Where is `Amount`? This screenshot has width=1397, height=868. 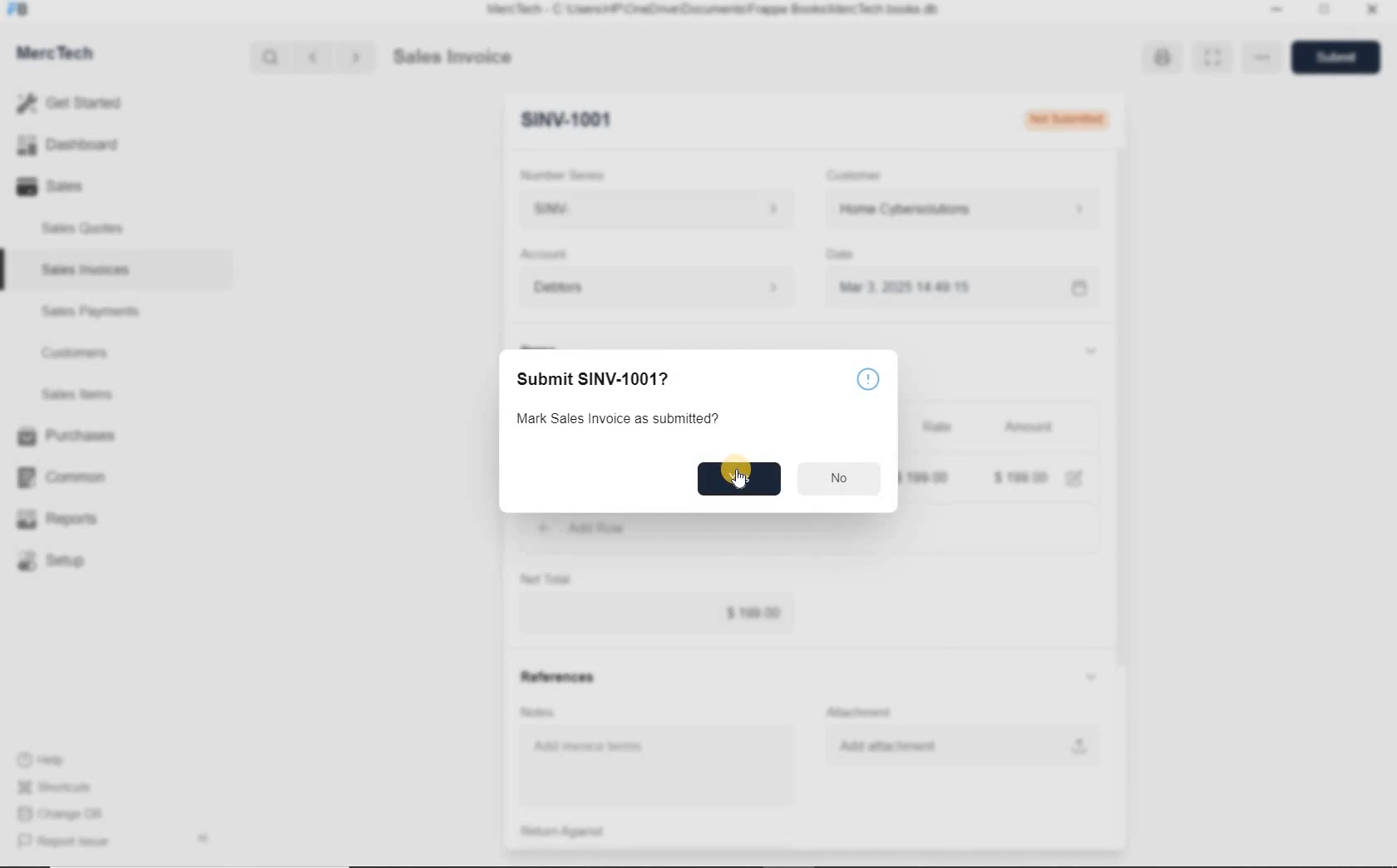 Amount is located at coordinates (1028, 428).